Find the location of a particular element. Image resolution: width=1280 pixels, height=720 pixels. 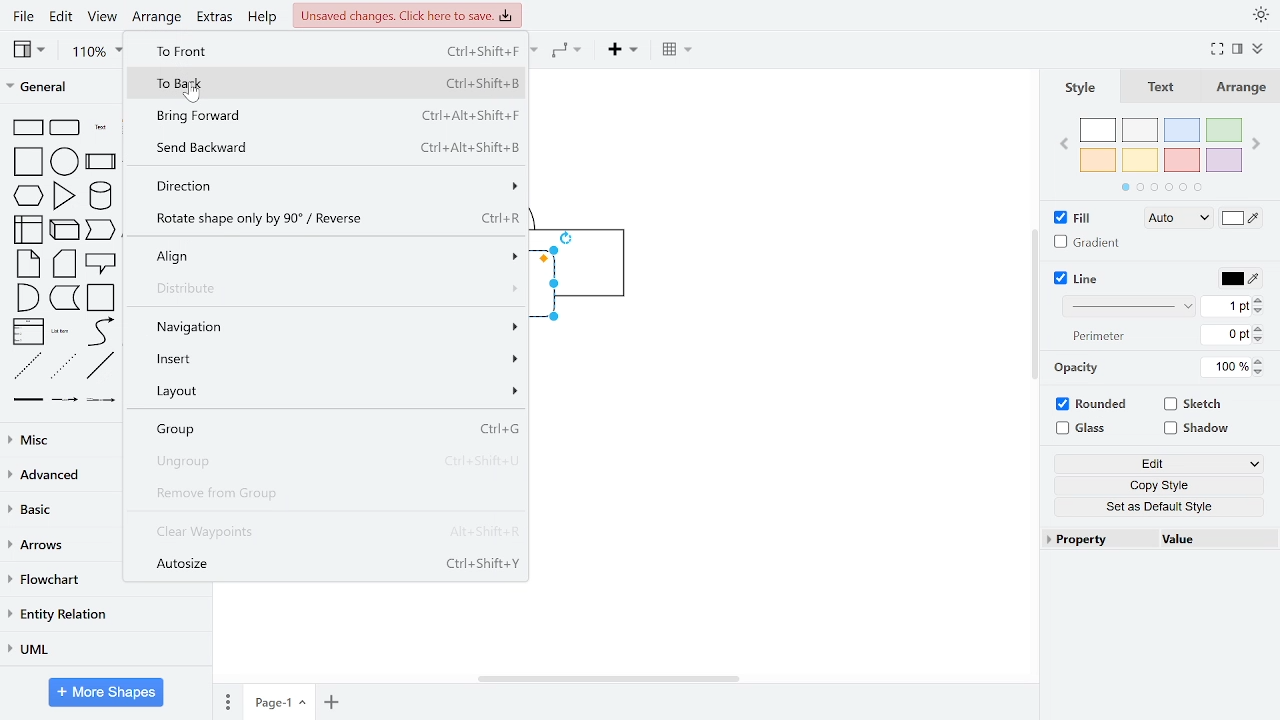

shadow is located at coordinates (1196, 430).